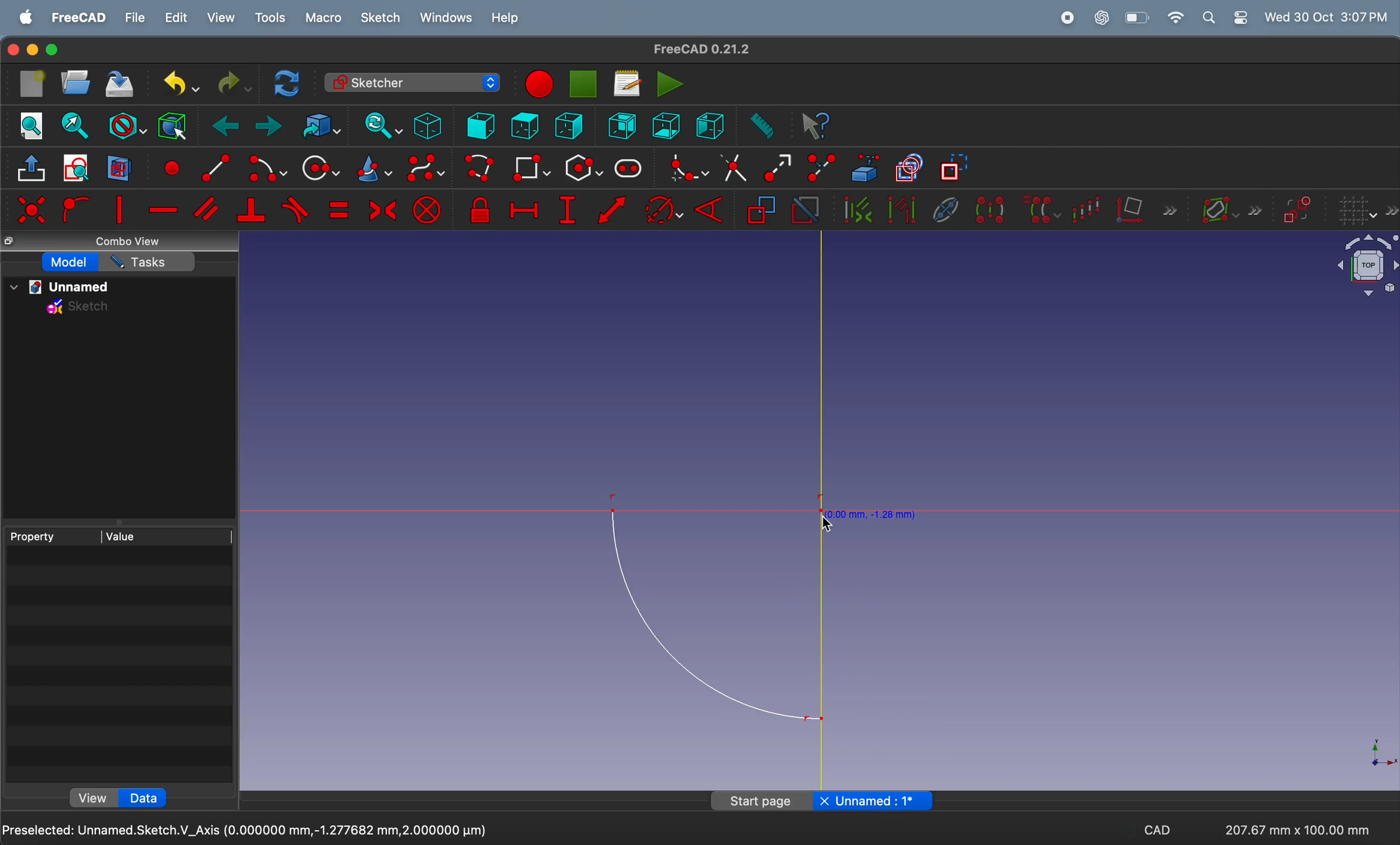 The image size is (1400, 845). What do you see at coordinates (1228, 208) in the screenshot?
I see `show information layer` at bounding box center [1228, 208].